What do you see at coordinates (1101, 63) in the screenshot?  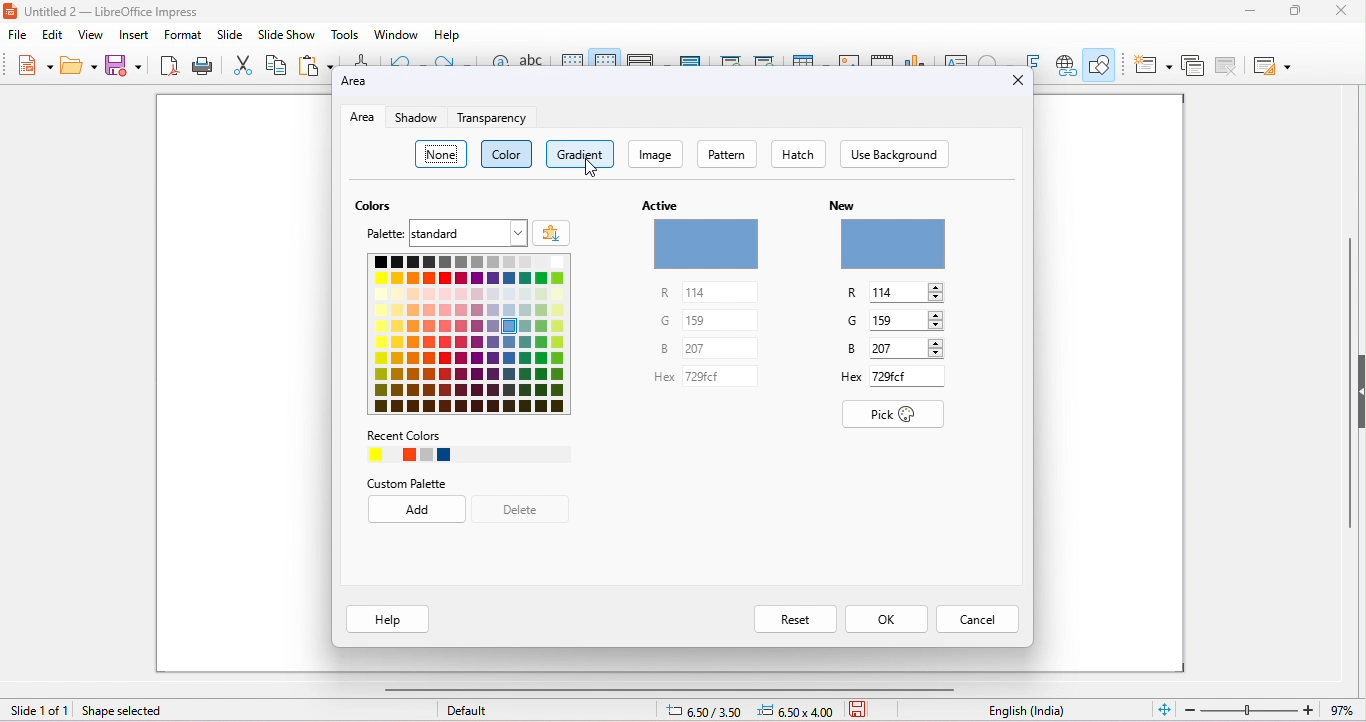 I see `show draw functions` at bounding box center [1101, 63].